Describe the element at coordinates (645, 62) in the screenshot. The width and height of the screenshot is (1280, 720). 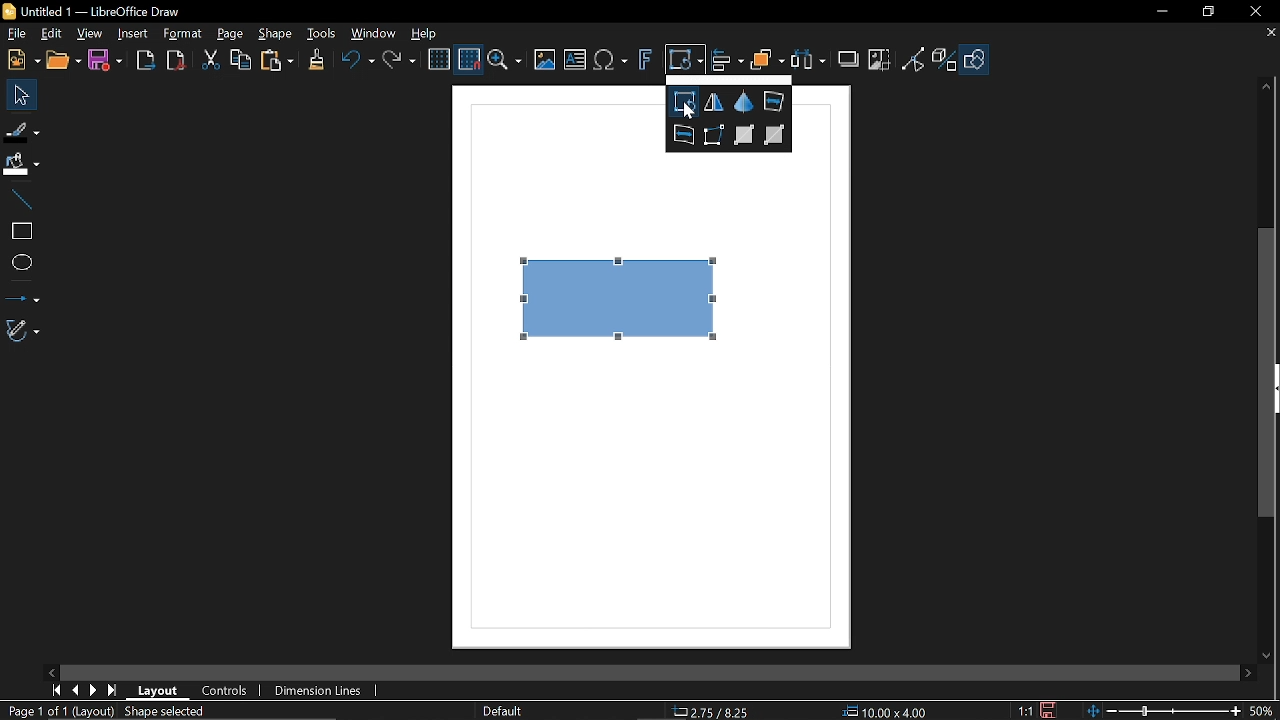
I see `Insert fontwork` at that location.